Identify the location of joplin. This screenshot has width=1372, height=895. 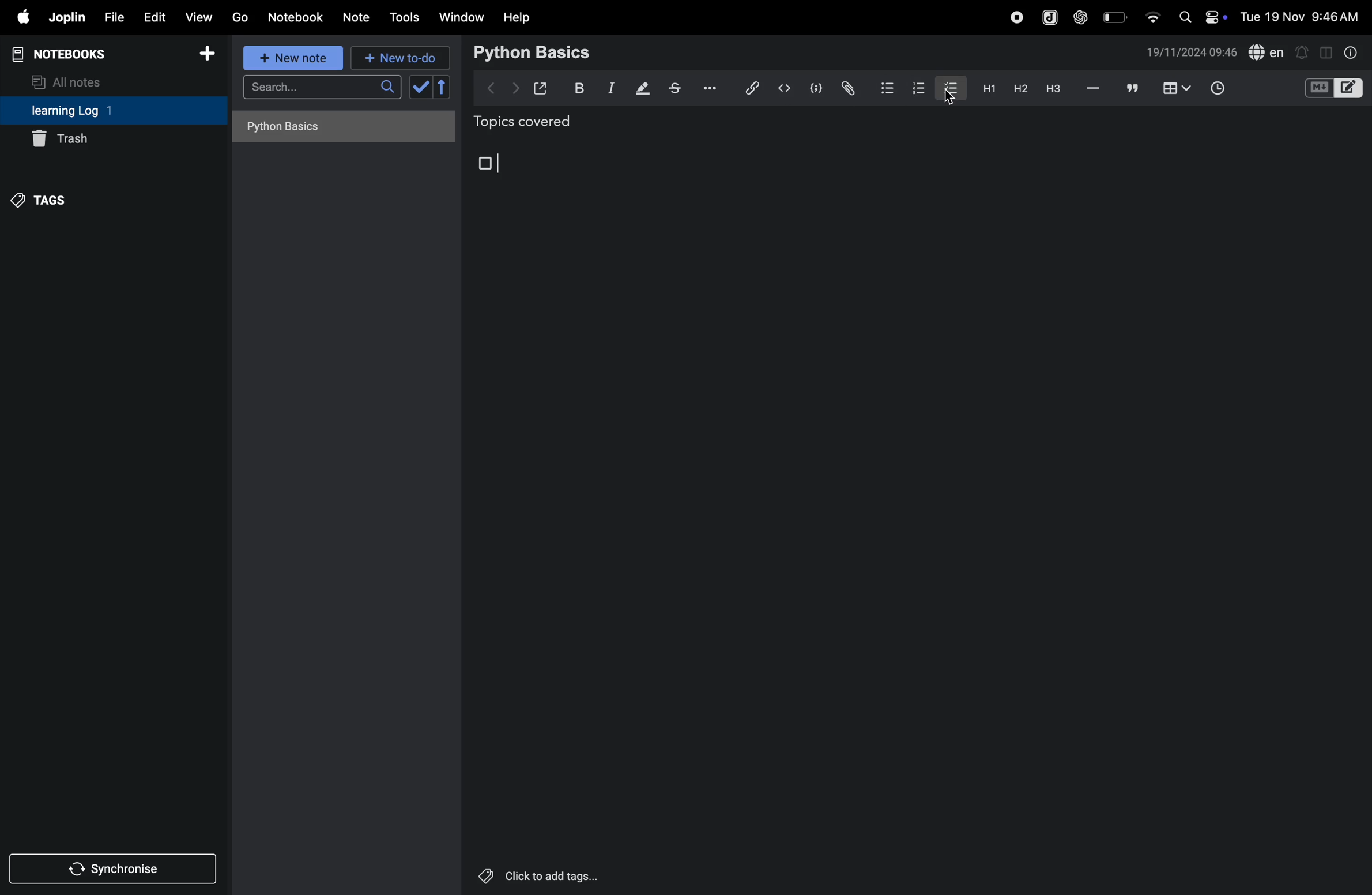
(66, 17).